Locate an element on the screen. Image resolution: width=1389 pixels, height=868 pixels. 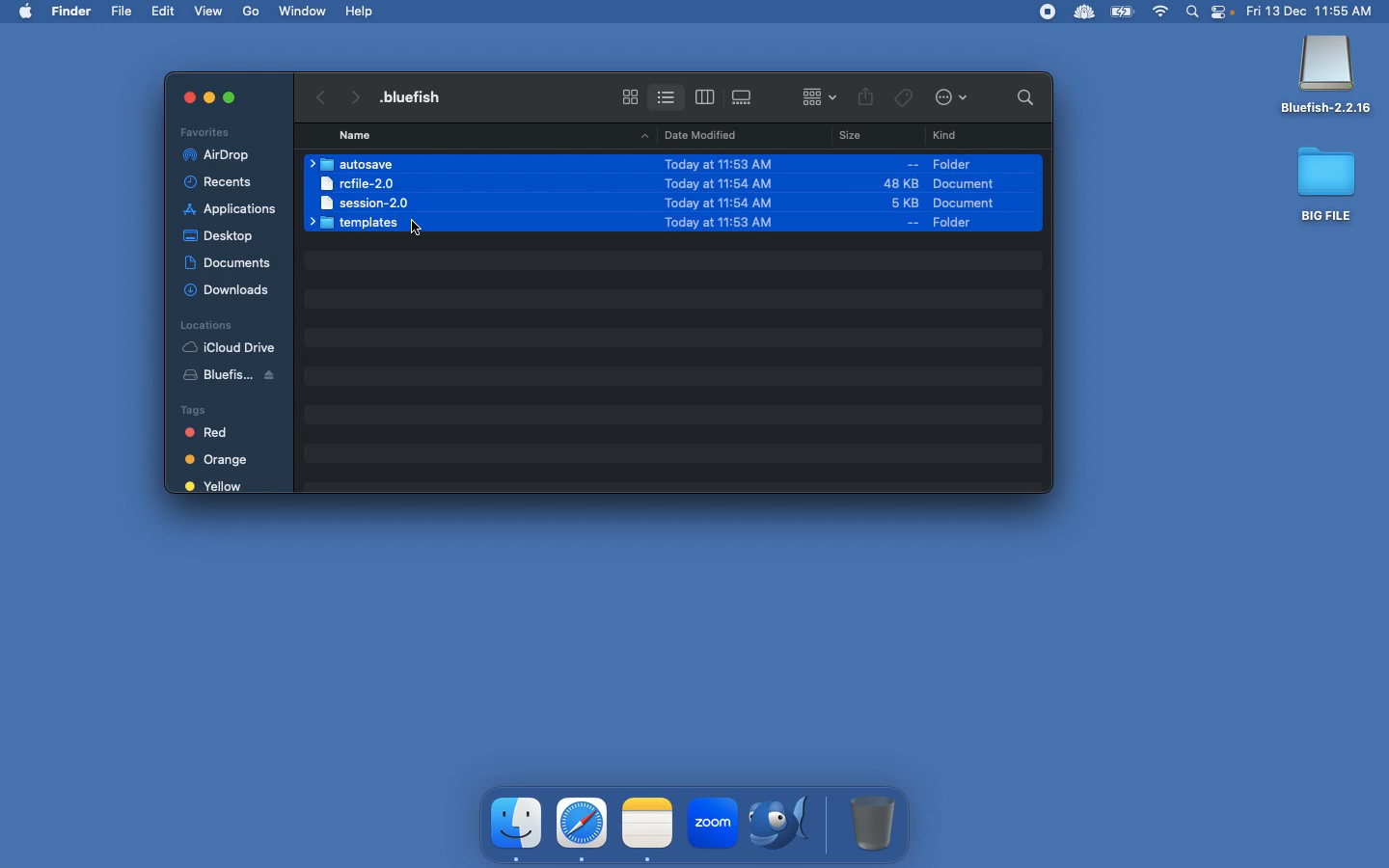
zoom is located at coordinates (711, 826).